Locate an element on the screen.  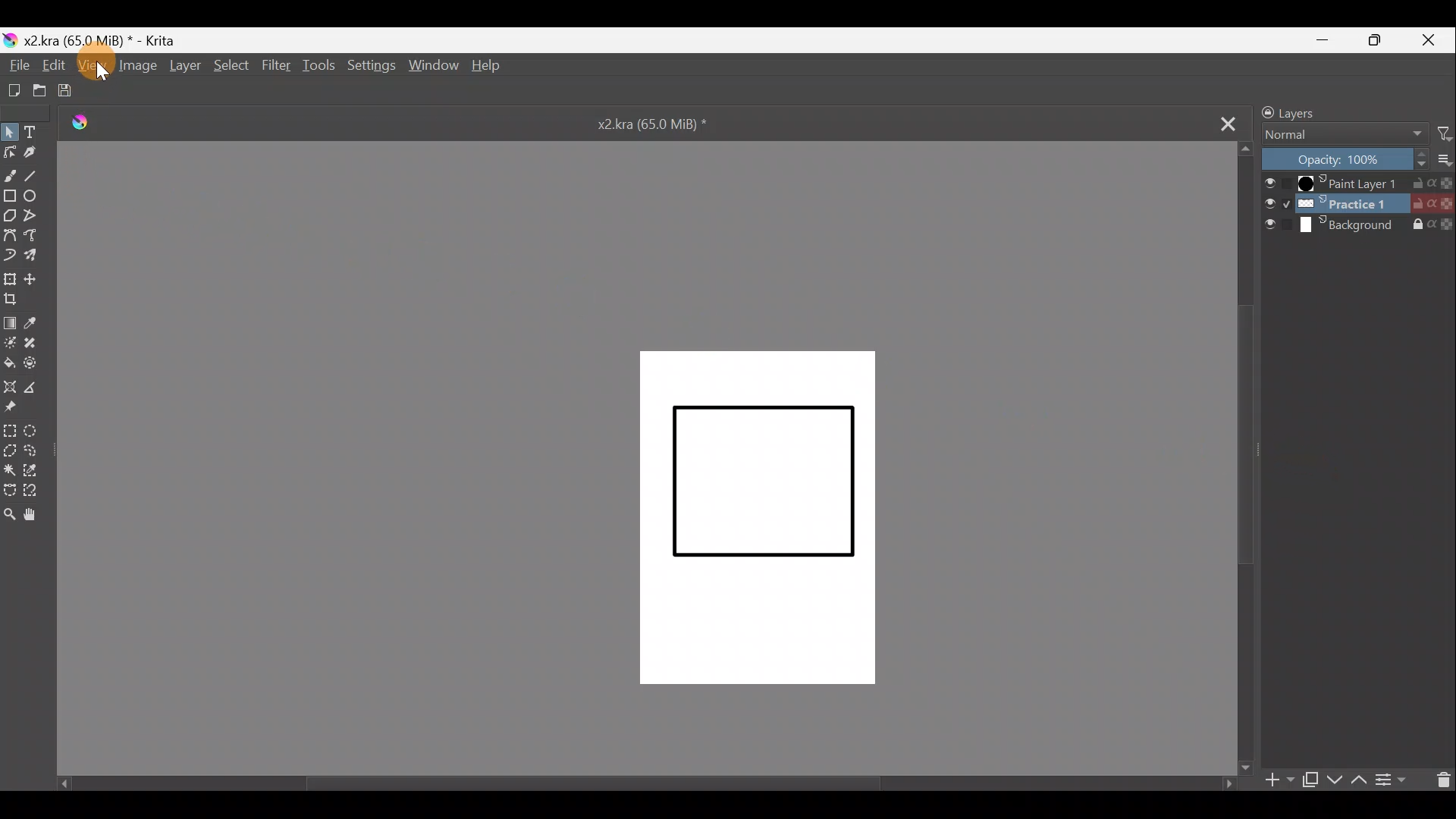
Layer opacity is located at coordinates (1346, 160).